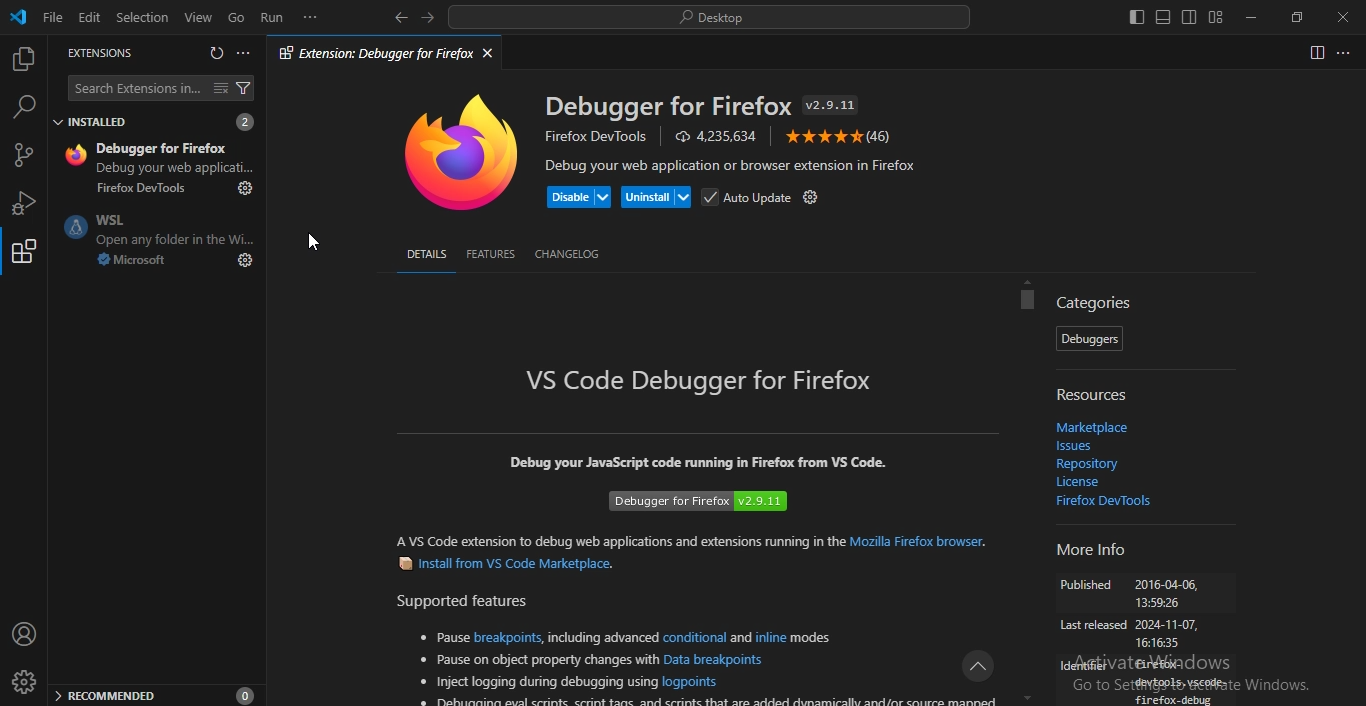  I want to click on debugging eval scripts, script taps and scripts that are added dynamically and/or source mapped, so click(715, 700).